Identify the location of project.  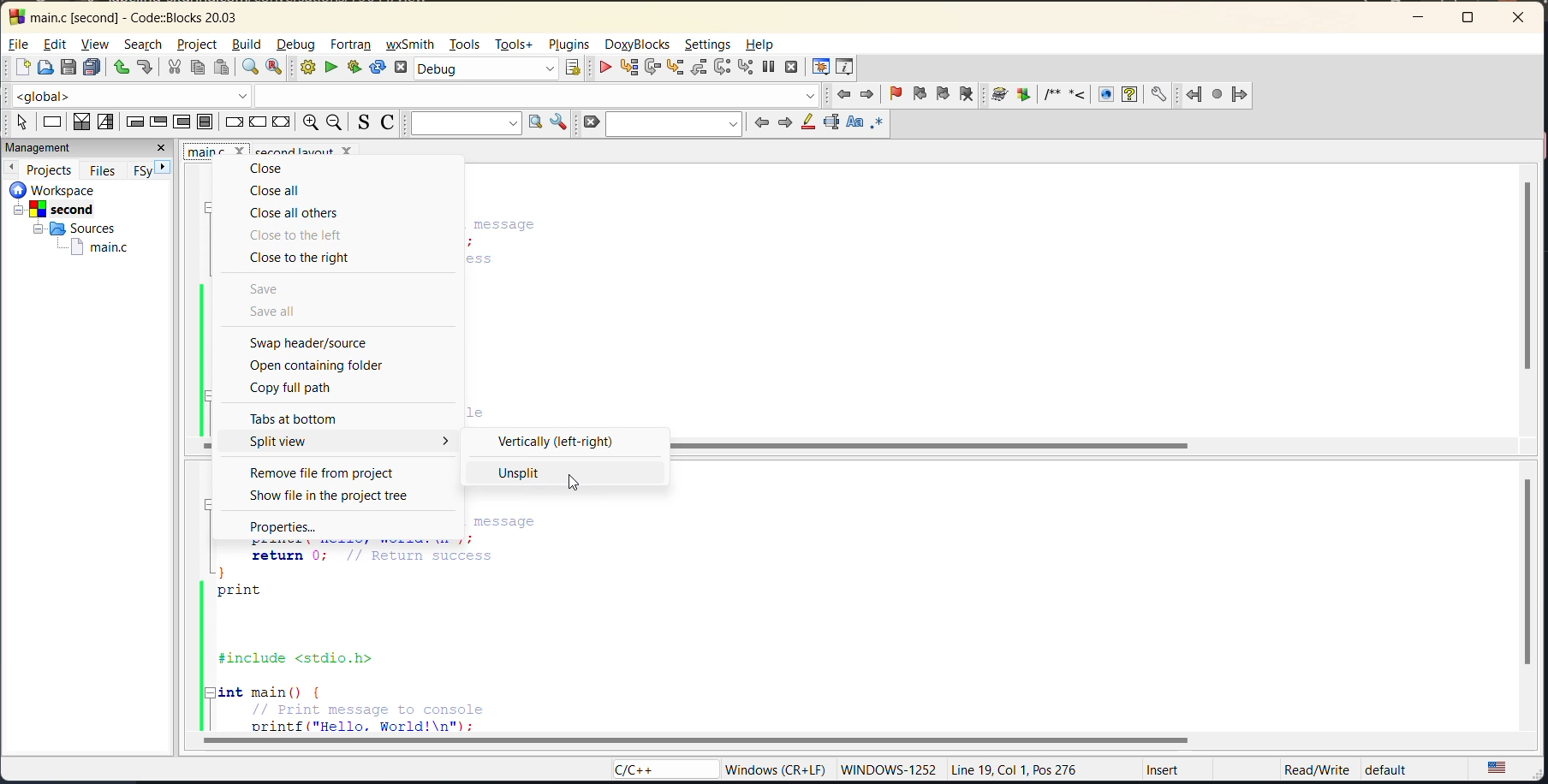
(199, 43).